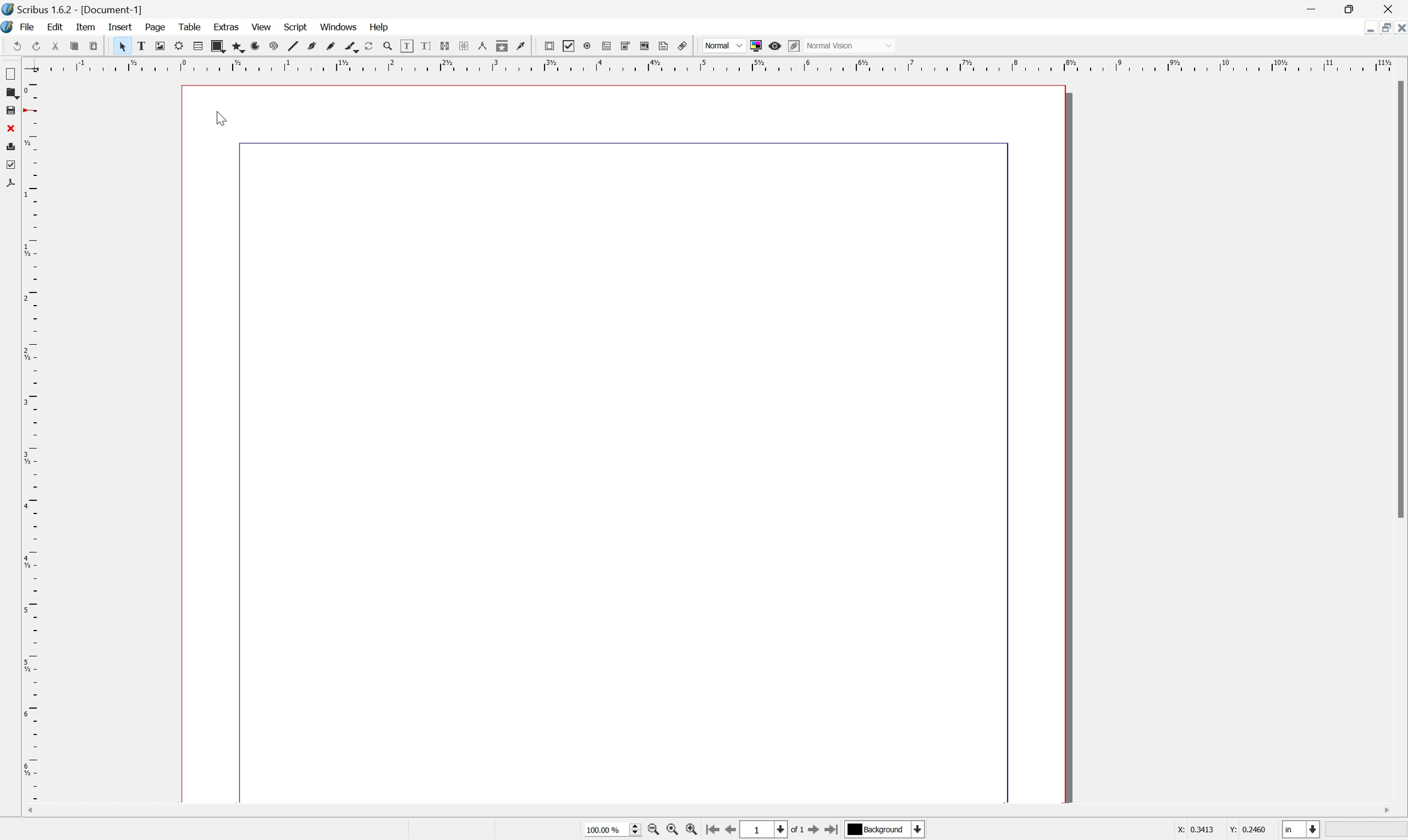 This screenshot has height=840, width=1408. Describe the element at coordinates (775, 46) in the screenshot. I see `Preview Mode` at that location.